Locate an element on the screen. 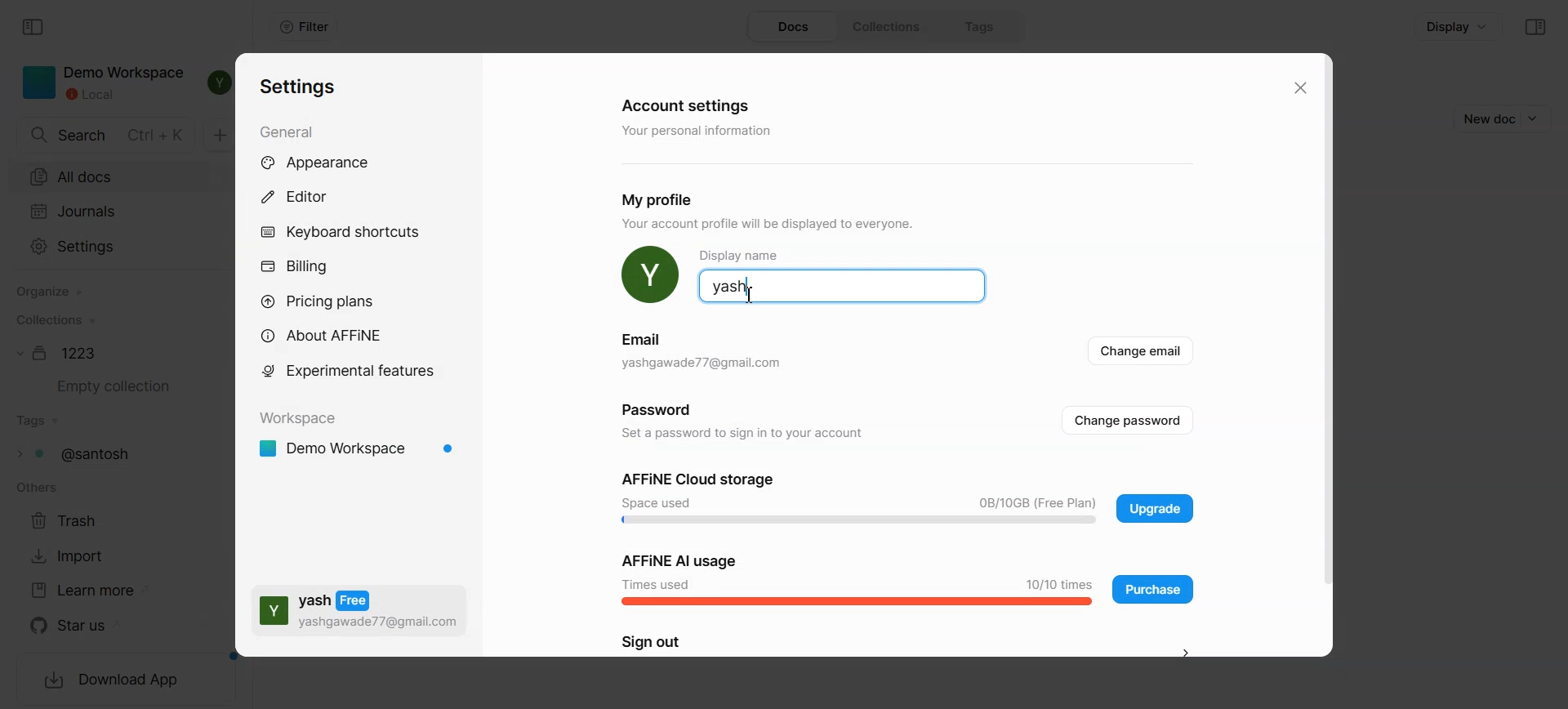 Image resolution: width=1568 pixels, height=709 pixels. Trash is located at coordinates (73, 519).